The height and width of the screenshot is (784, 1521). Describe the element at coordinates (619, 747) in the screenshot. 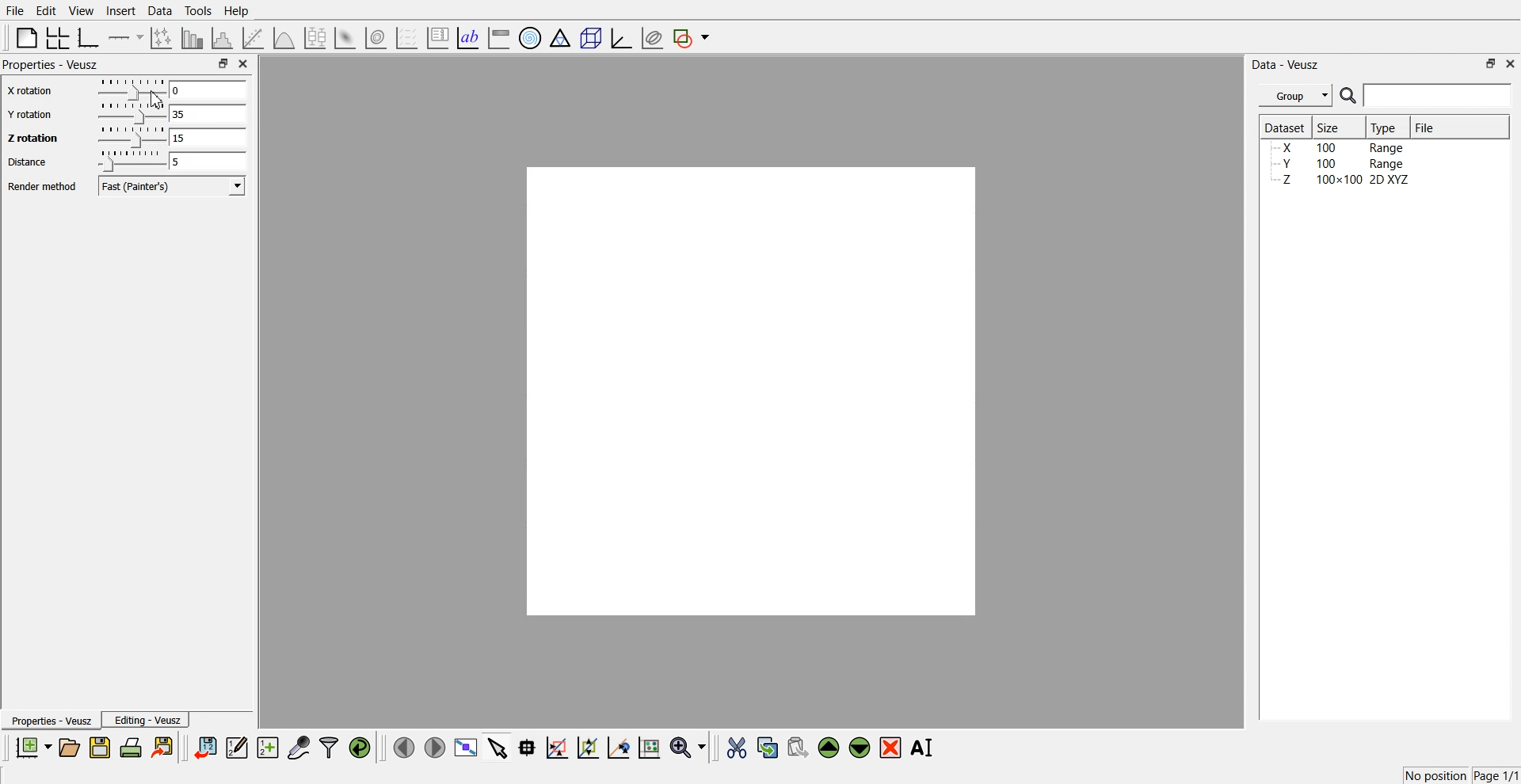

I see `Recenter graph axes` at that location.